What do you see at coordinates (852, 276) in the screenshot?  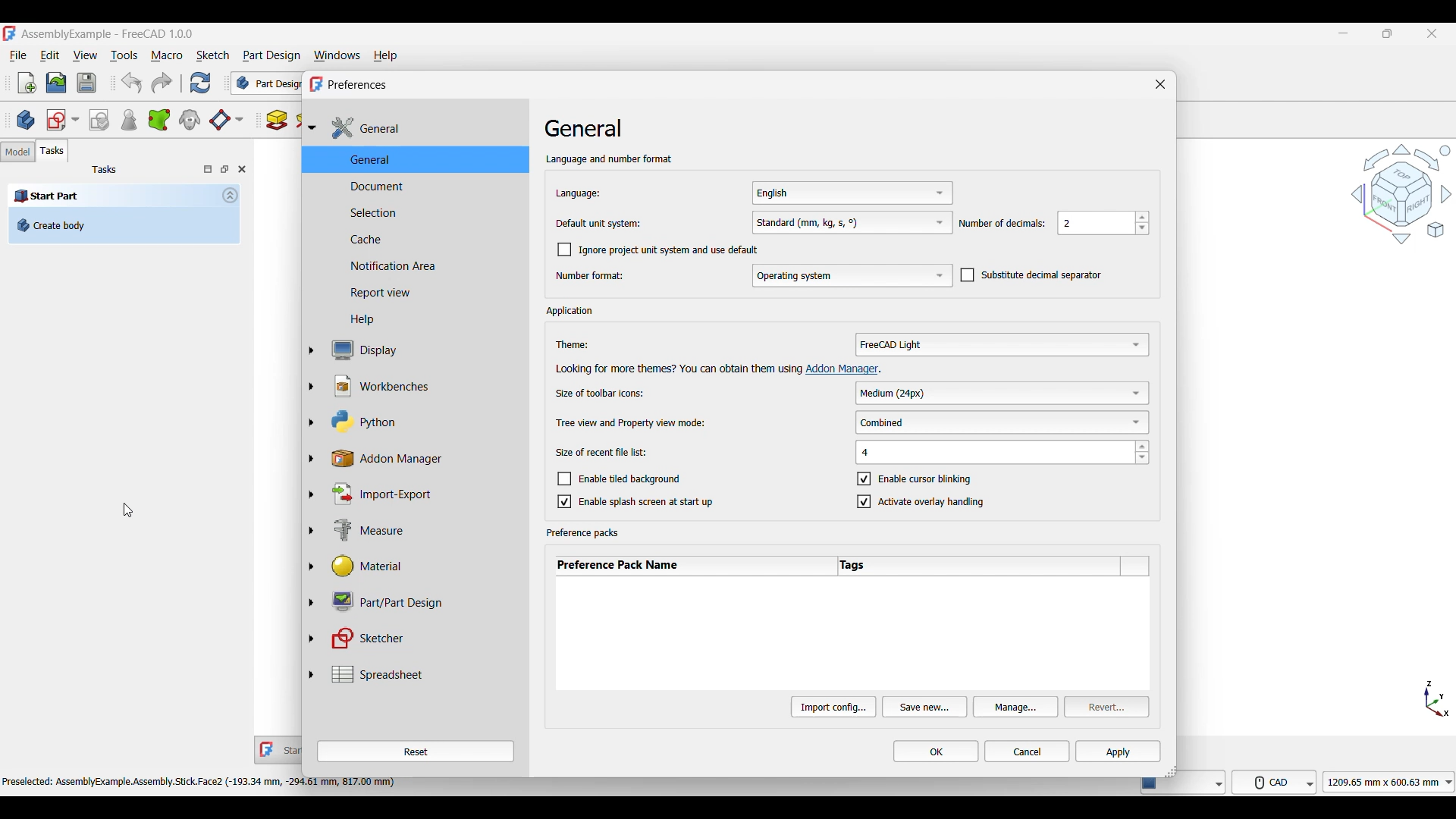 I see `Operating system` at bounding box center [852, 276].